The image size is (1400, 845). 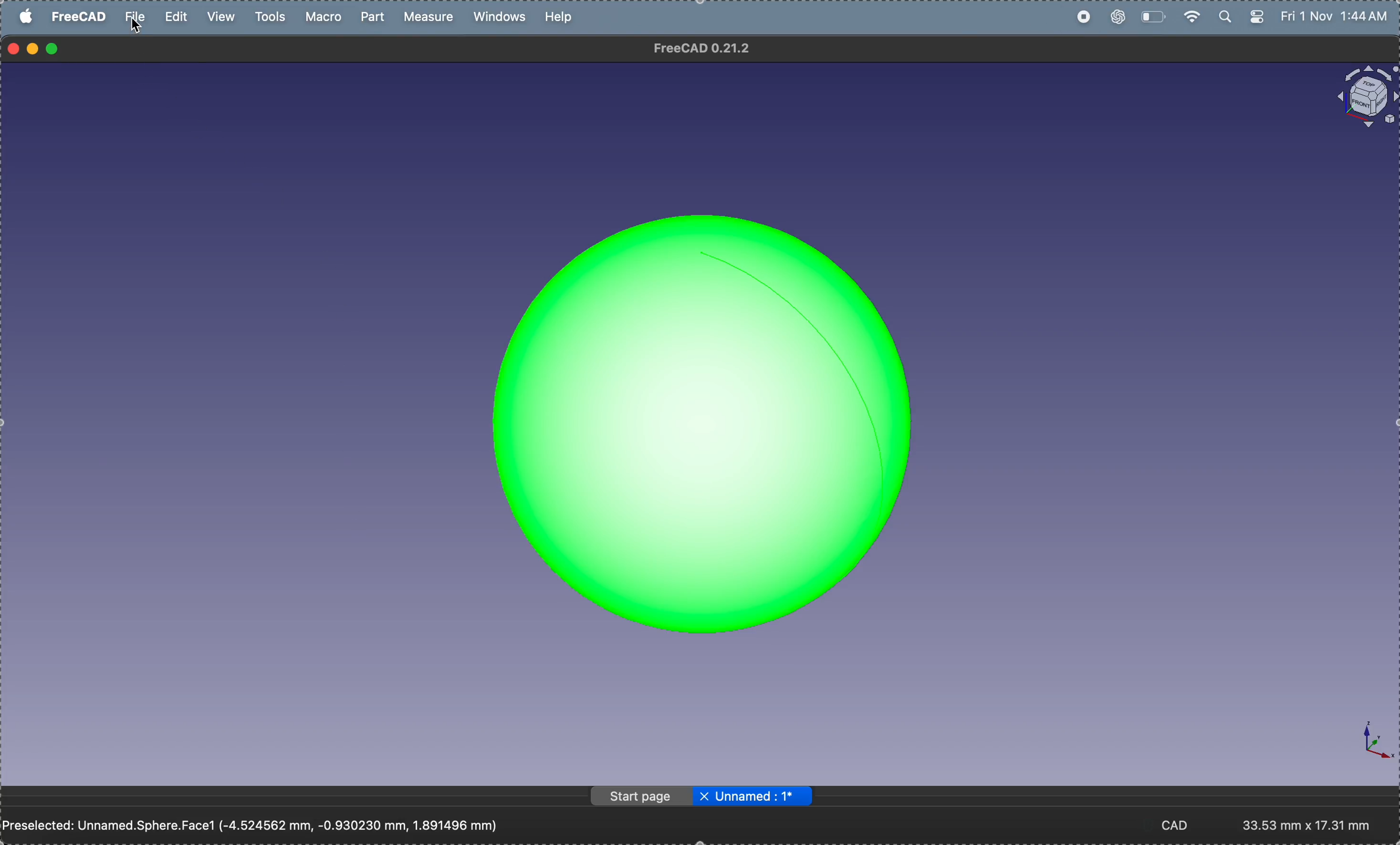 I want to click on unnamed:1, so click(x=753, y=798).